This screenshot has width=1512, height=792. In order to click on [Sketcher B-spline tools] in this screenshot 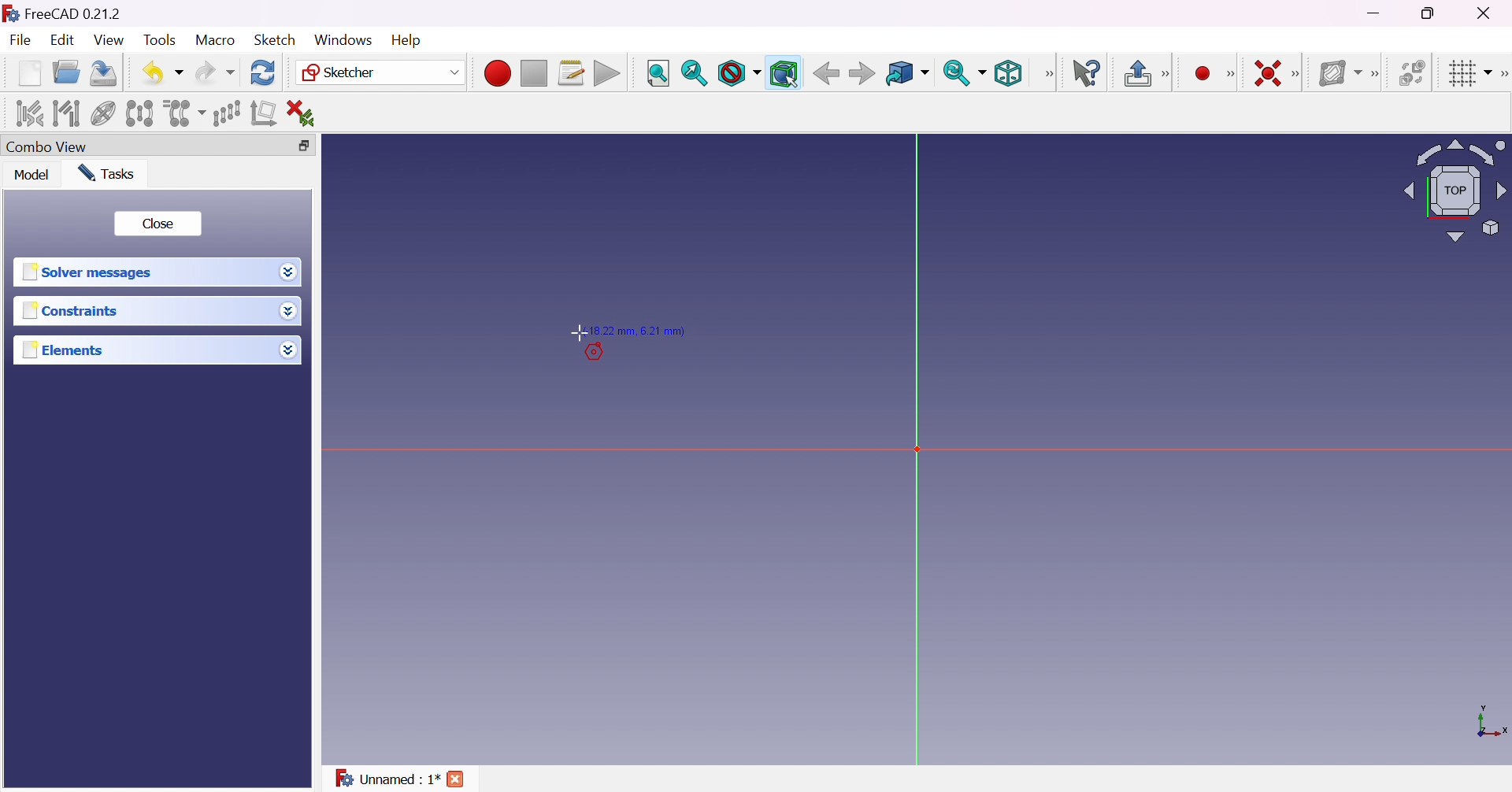, I will do `click(1373, 75)`.